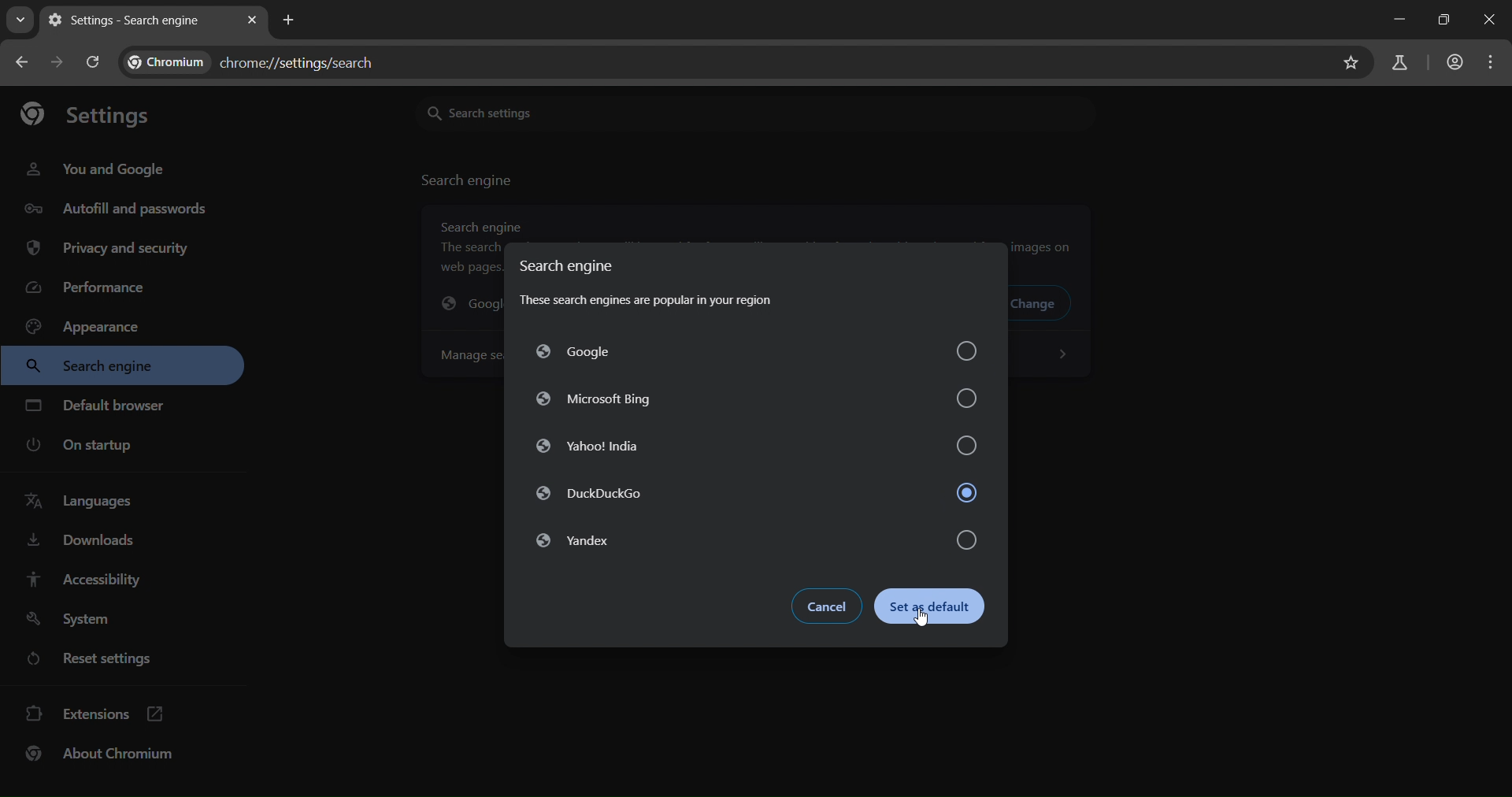 This screenshot has width=1512, height=797. Describe the element at coordinates (128, 20) in the screenshot. I see `currenttab` at that location.